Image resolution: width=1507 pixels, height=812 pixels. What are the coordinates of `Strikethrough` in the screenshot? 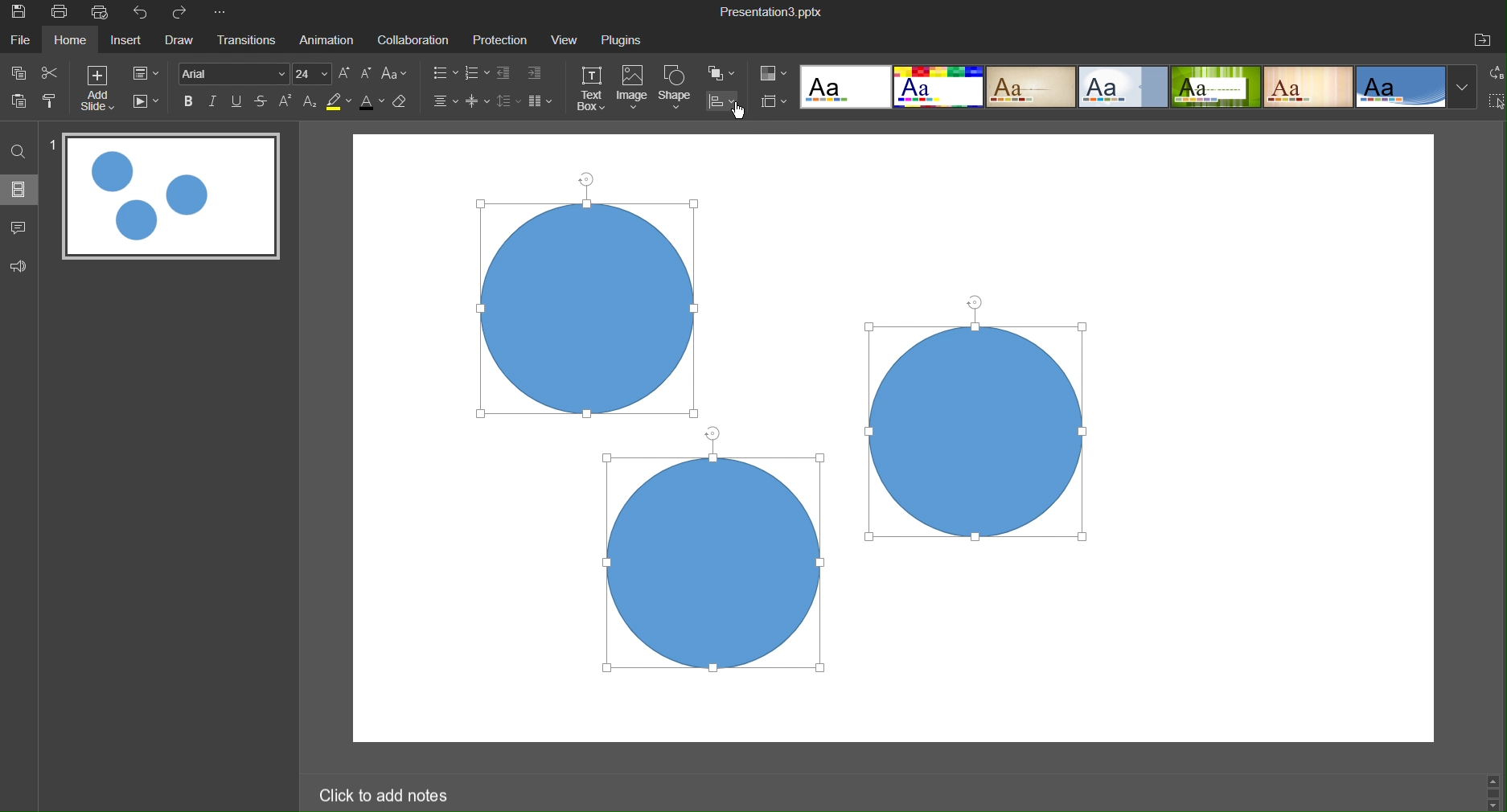 It's located at (264, 101).